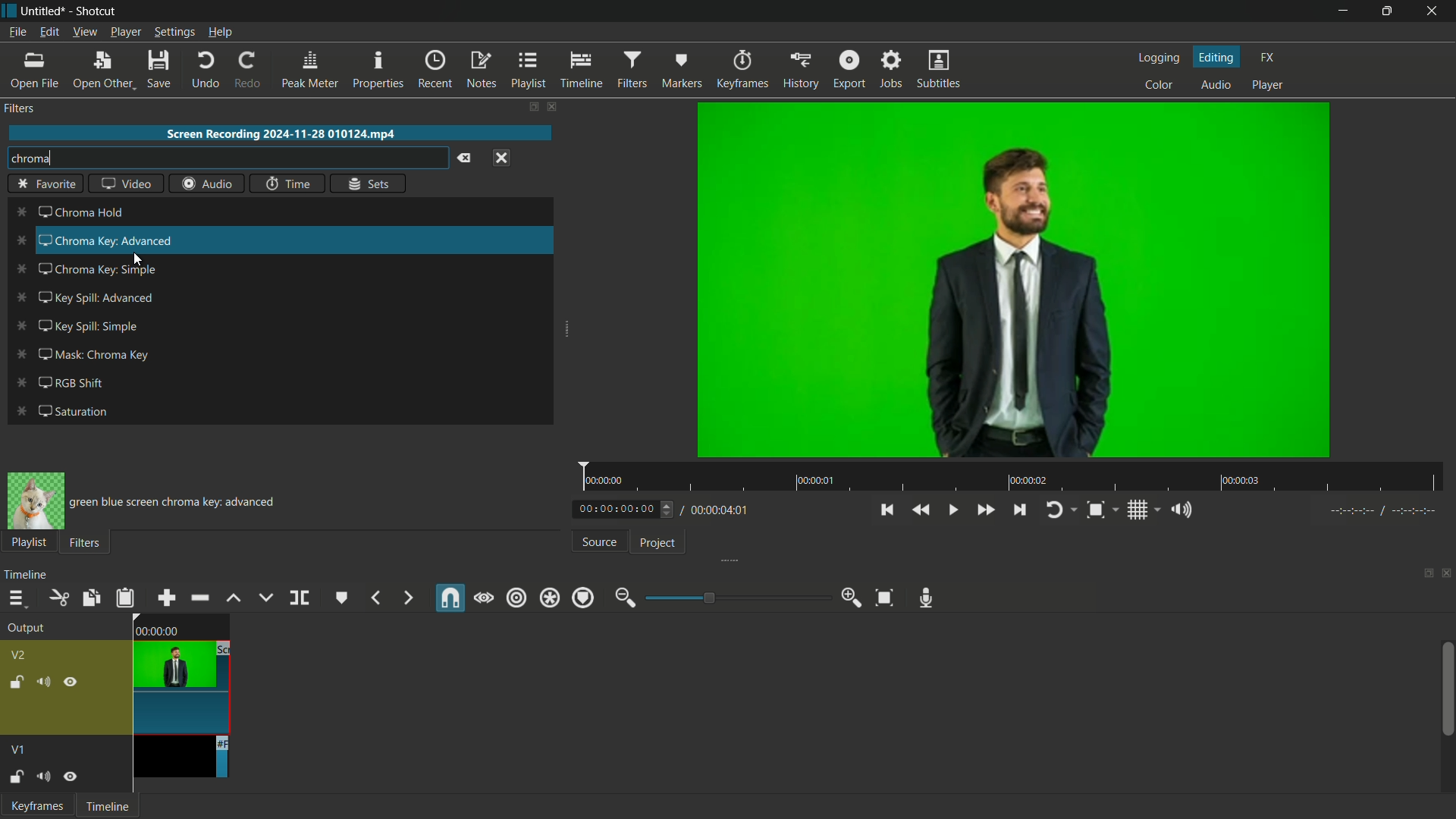 The image size is (1456, 819). What do you see at coordinates (1054, 510) in the screenshot?
I see `toggle player looping` at bounding box center [1054, 510].